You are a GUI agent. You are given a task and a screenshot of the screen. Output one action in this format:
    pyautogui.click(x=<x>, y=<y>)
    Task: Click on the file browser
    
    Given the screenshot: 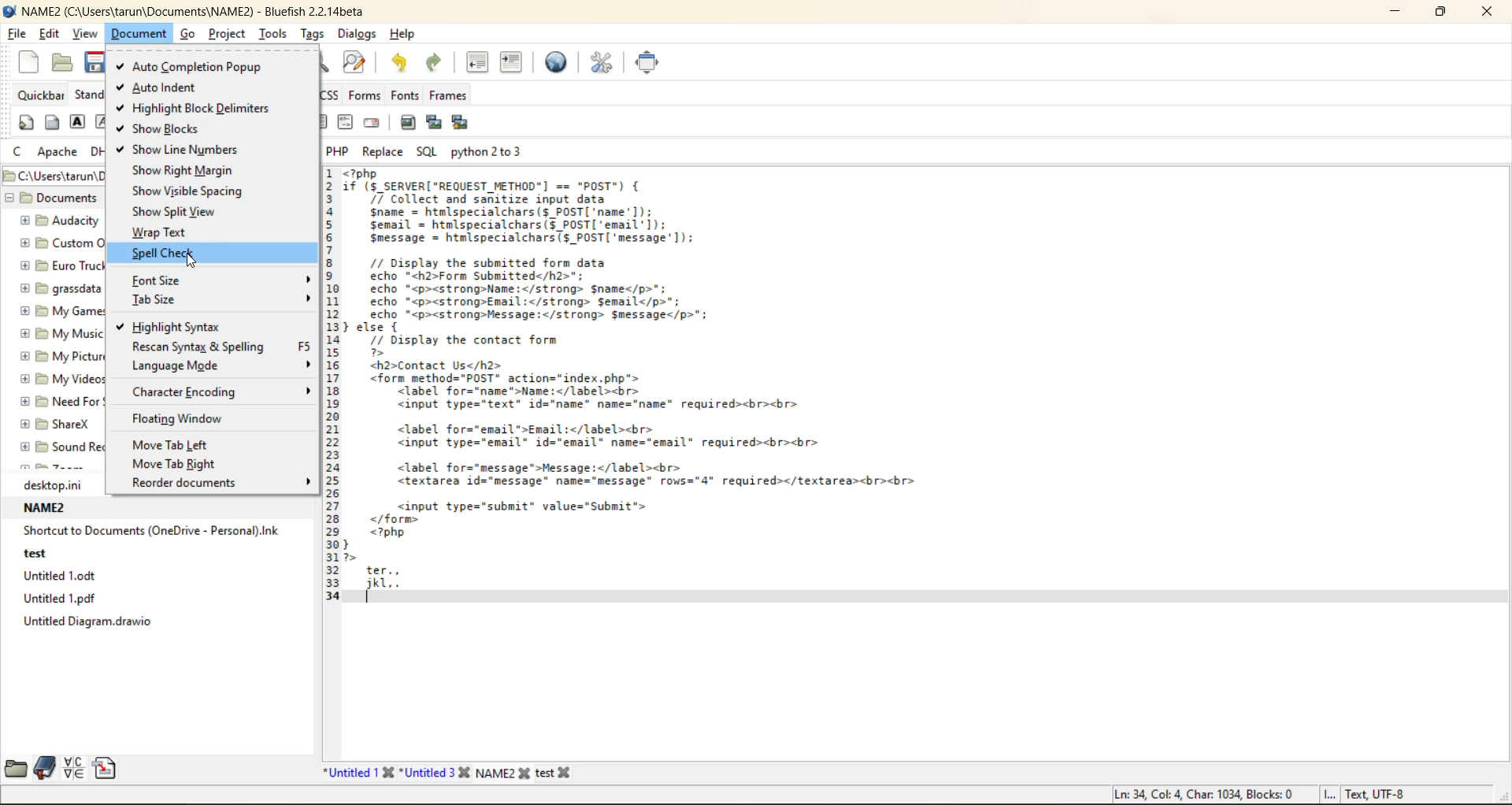 What is the action you would take?
    pyautogui.click(x=18, y=768)
    